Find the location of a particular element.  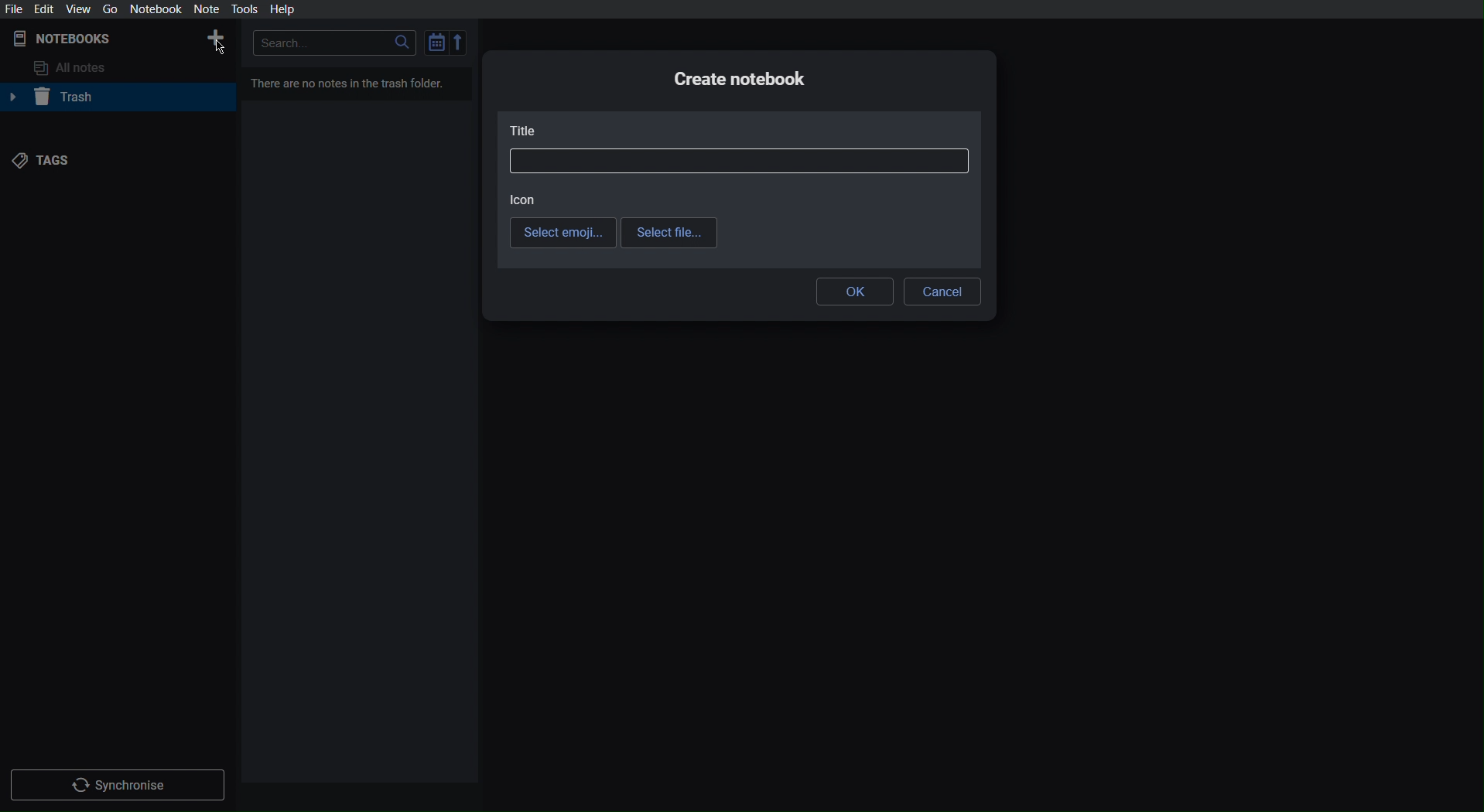

Tags is located at coordinates (41, 162).